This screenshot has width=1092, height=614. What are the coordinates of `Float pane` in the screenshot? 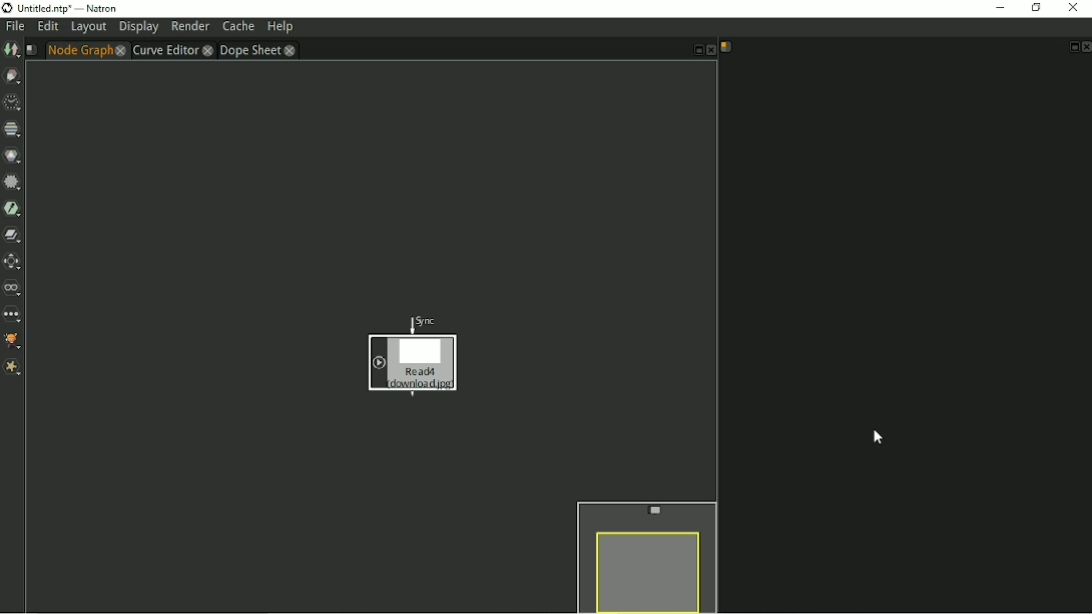 It's located at (694, 51).